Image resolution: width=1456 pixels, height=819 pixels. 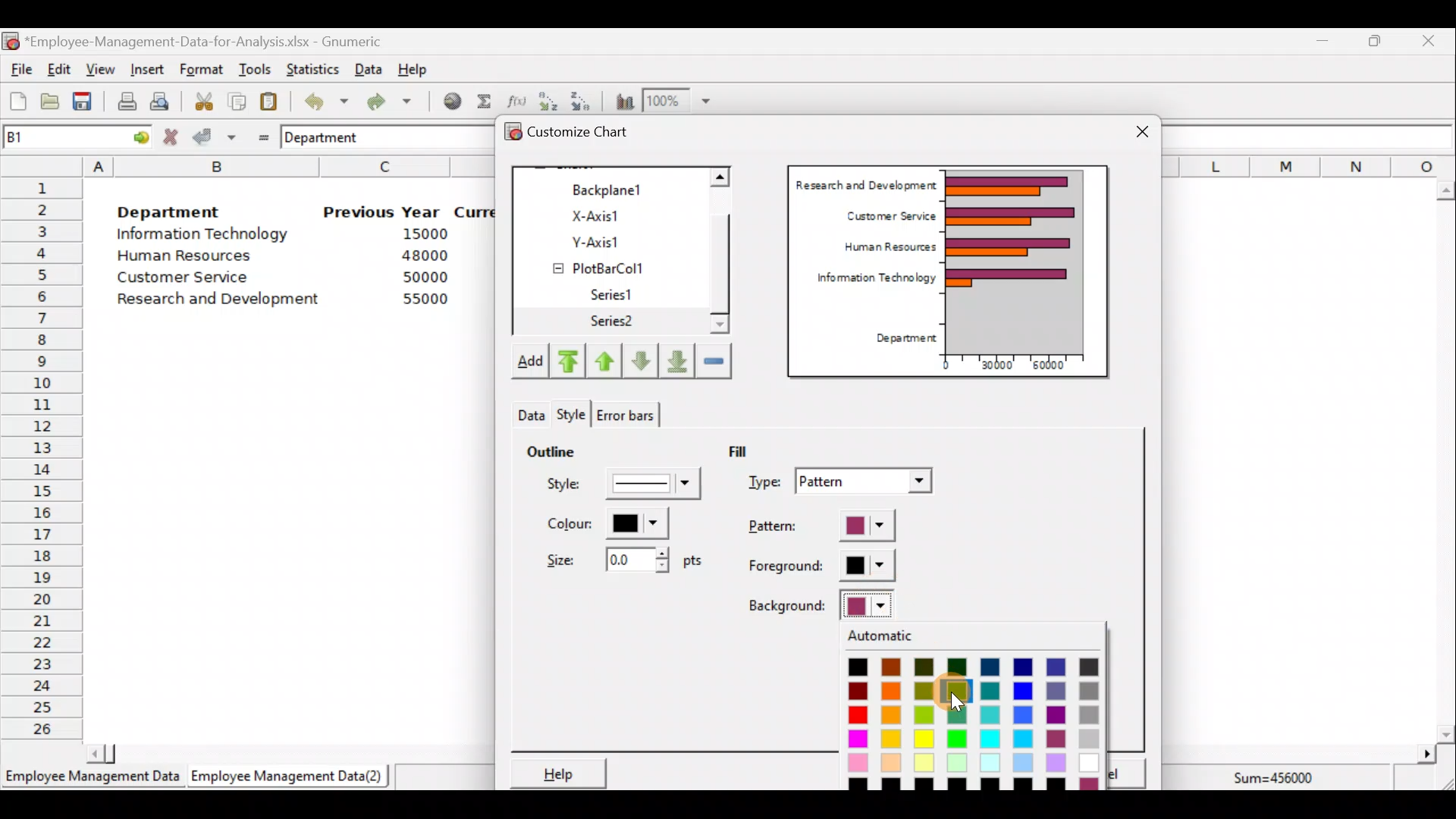 What do you see at coordinates (824, 605) in the screenshot?
I see `Background` at bounding box center [824, 605].